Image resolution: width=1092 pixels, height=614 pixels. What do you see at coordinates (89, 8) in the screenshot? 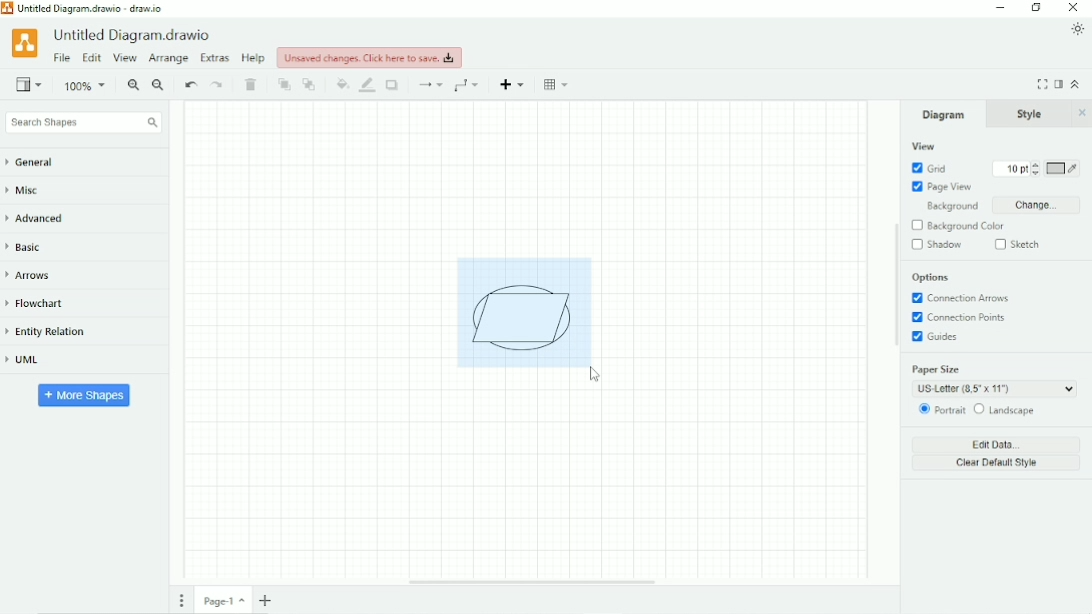
I see `Title ` at bounding box center [89, 8].